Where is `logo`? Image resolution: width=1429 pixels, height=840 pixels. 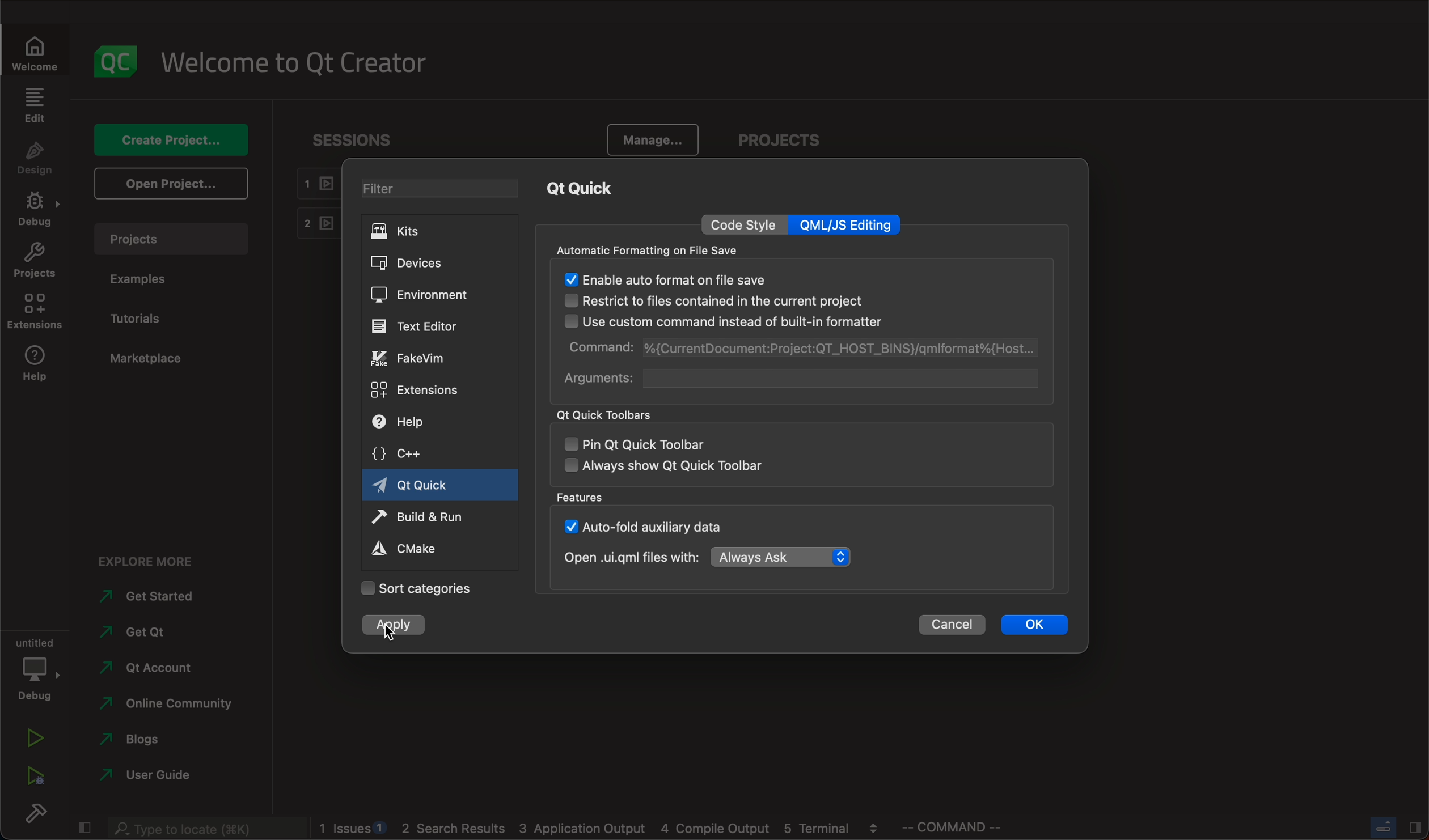
logo is located at coordinates (116, 63).